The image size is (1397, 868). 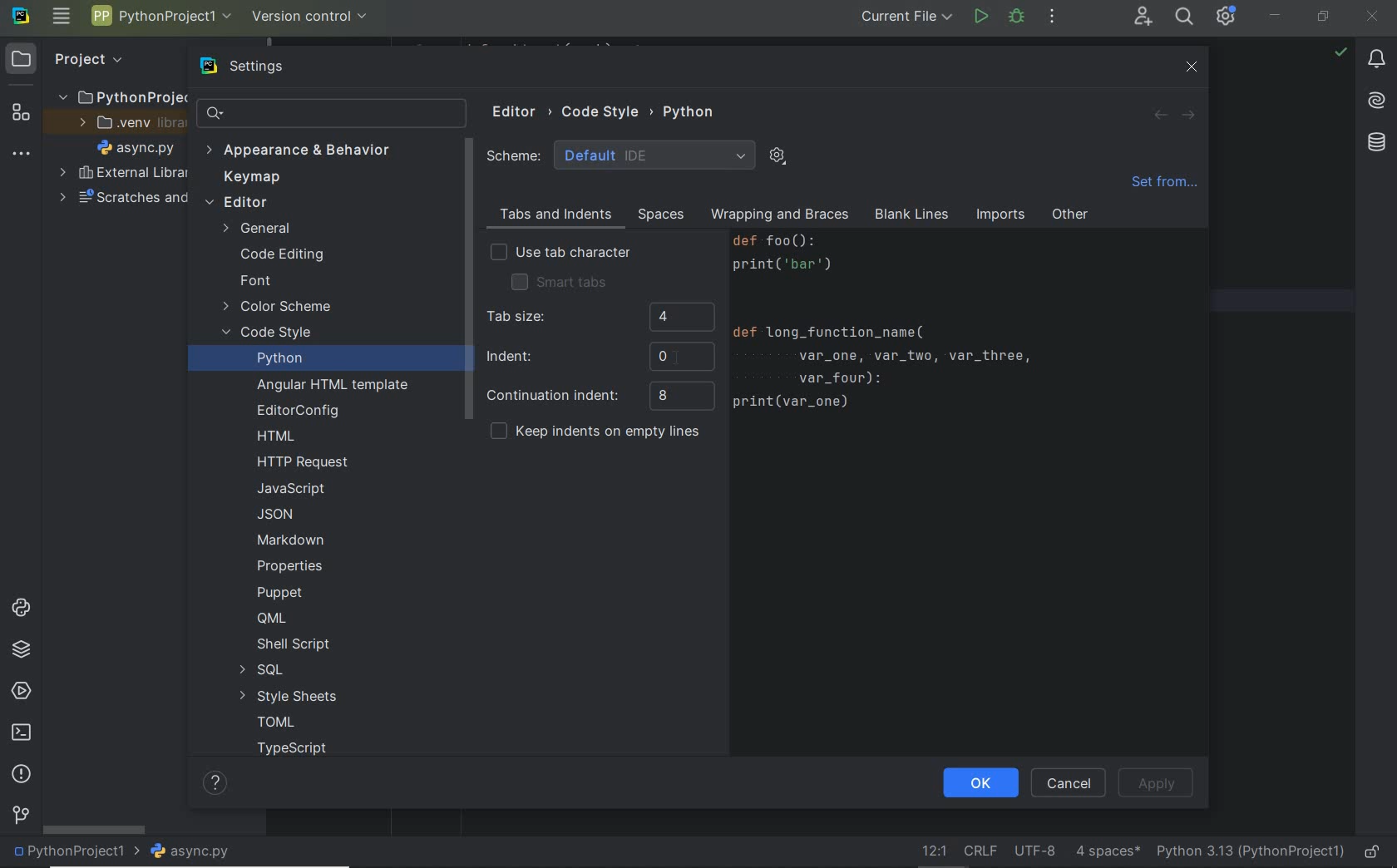 What do you see at coordinates (1070, 218) in the screenshot?
I see `other` at bounding box center [1070, 218].